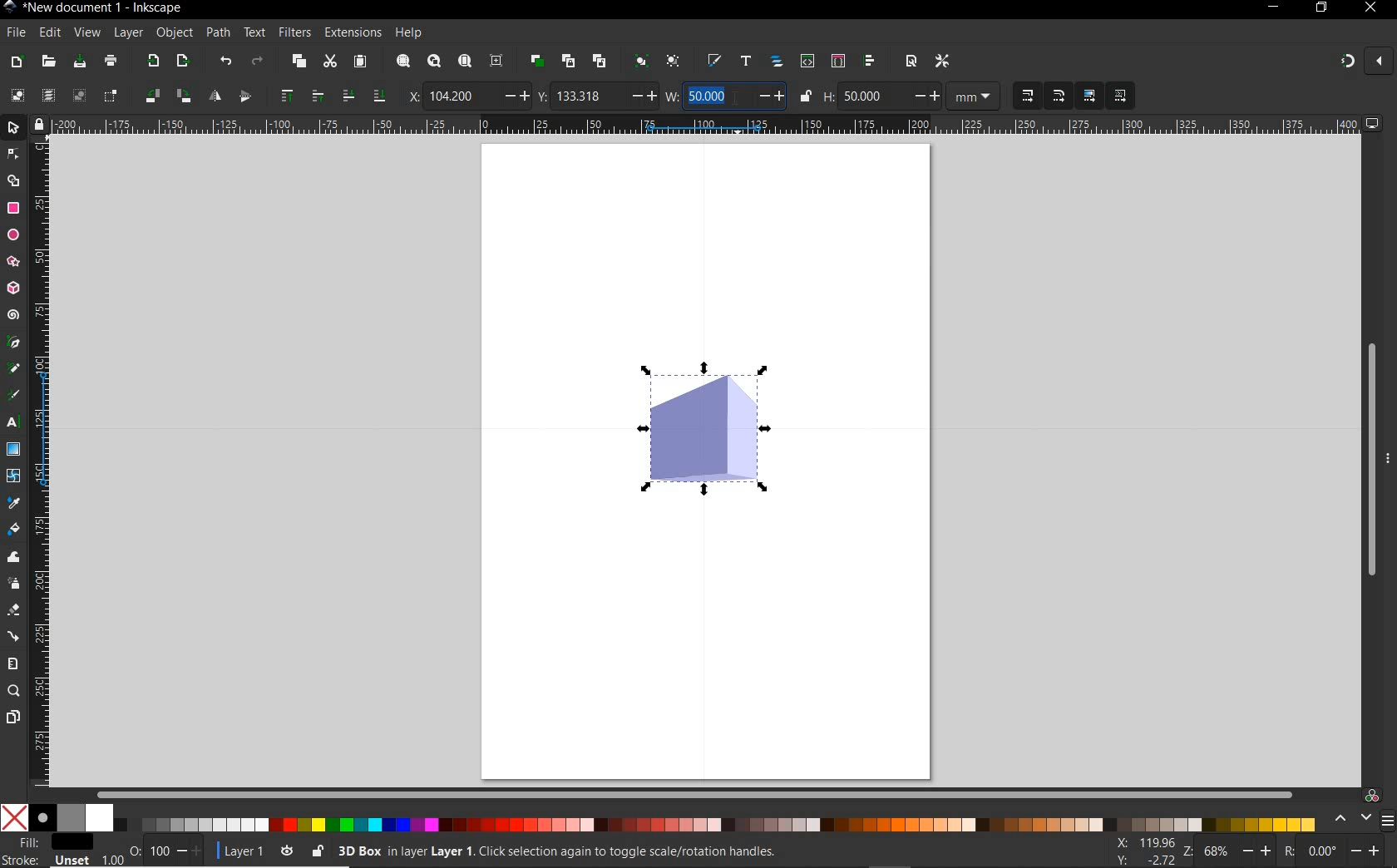  What do you see at coordinates (644, 849) in the screenshot?
I see `no objects selected` at bounding box center [644, 849].